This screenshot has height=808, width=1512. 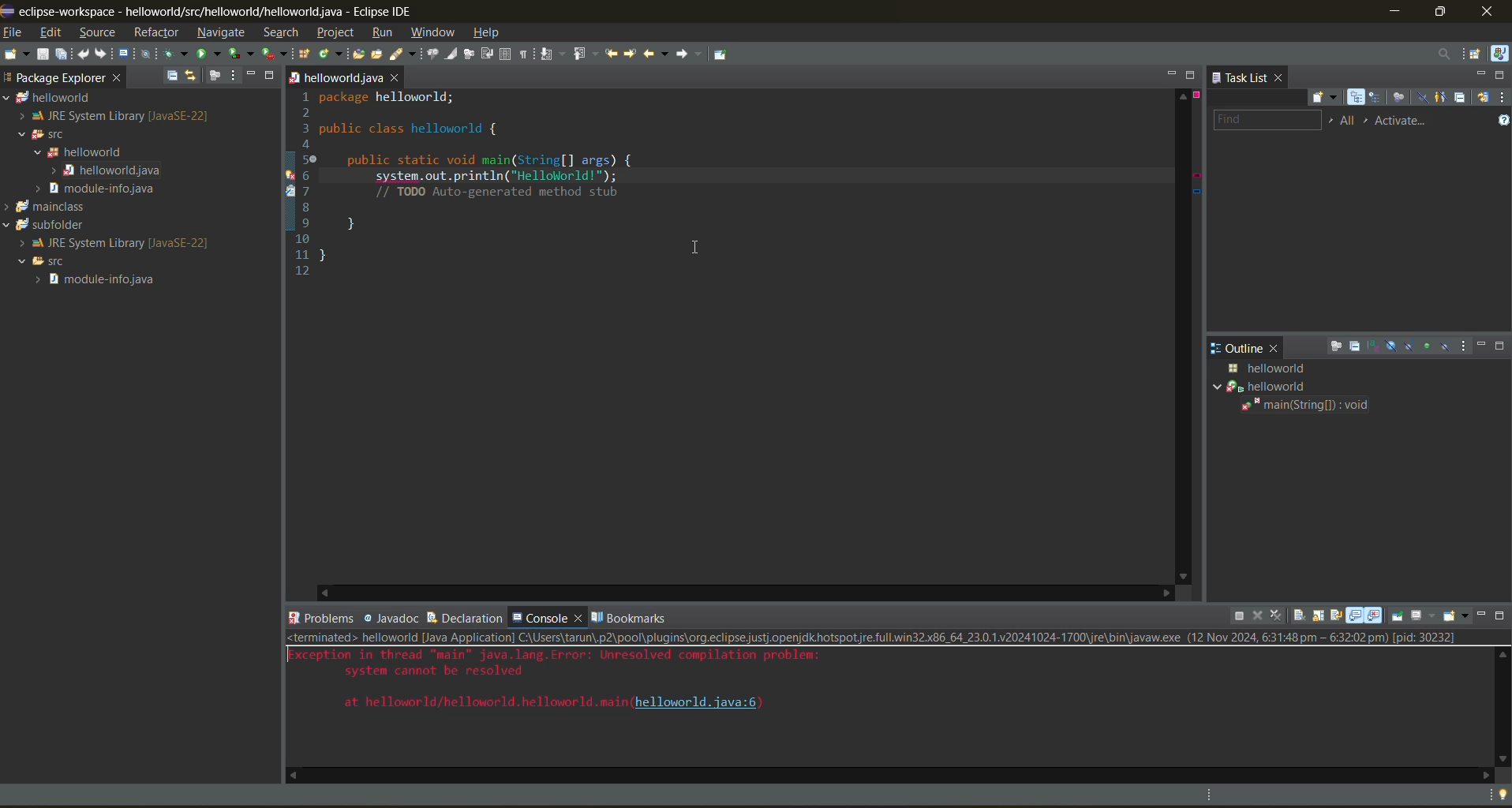 What do you see at coordinates (1336, 615) in the screenshot?
I see `word wrap` at bounding box center [1336, 615].